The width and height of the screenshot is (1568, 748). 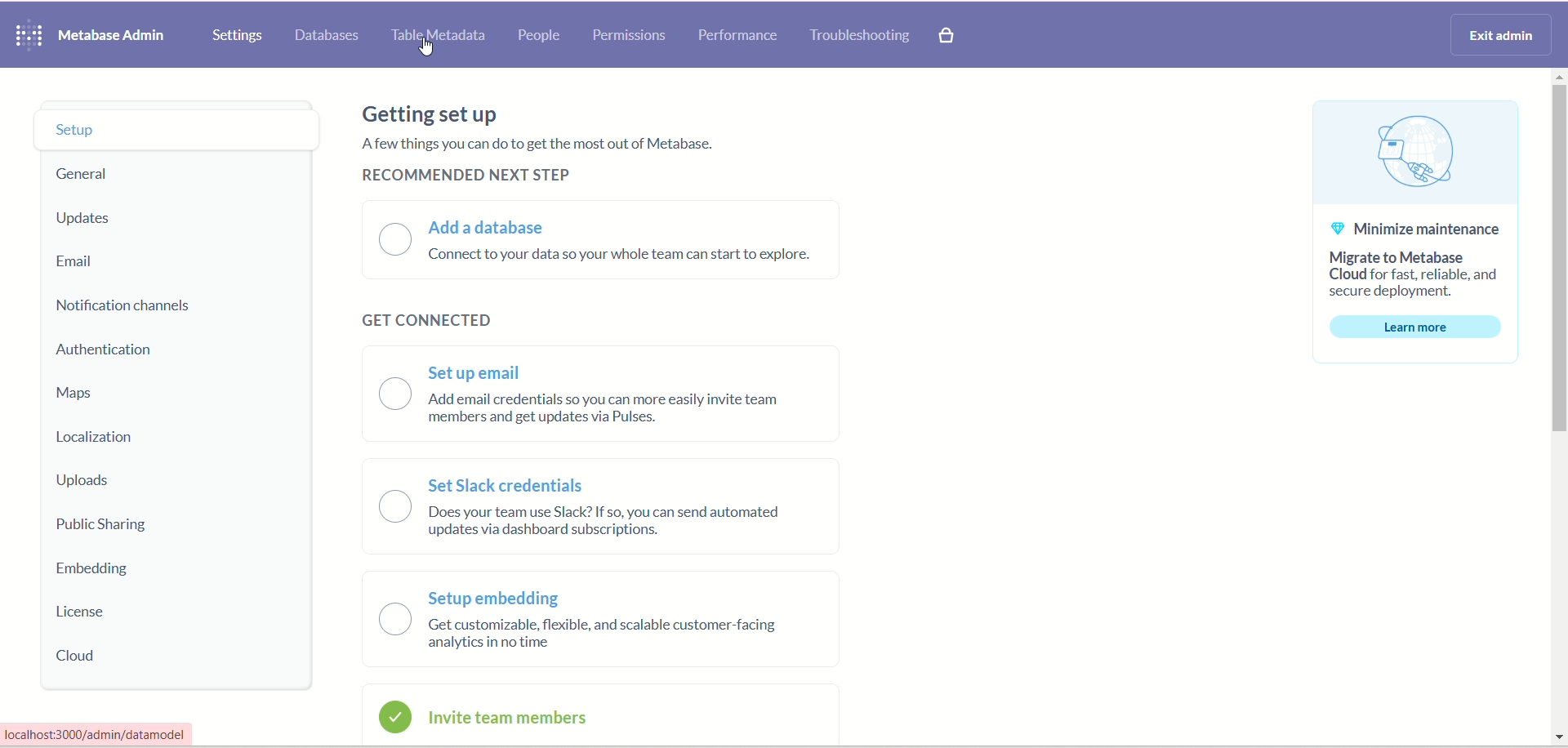 I want to click on databases, so click(x=327, y=38).